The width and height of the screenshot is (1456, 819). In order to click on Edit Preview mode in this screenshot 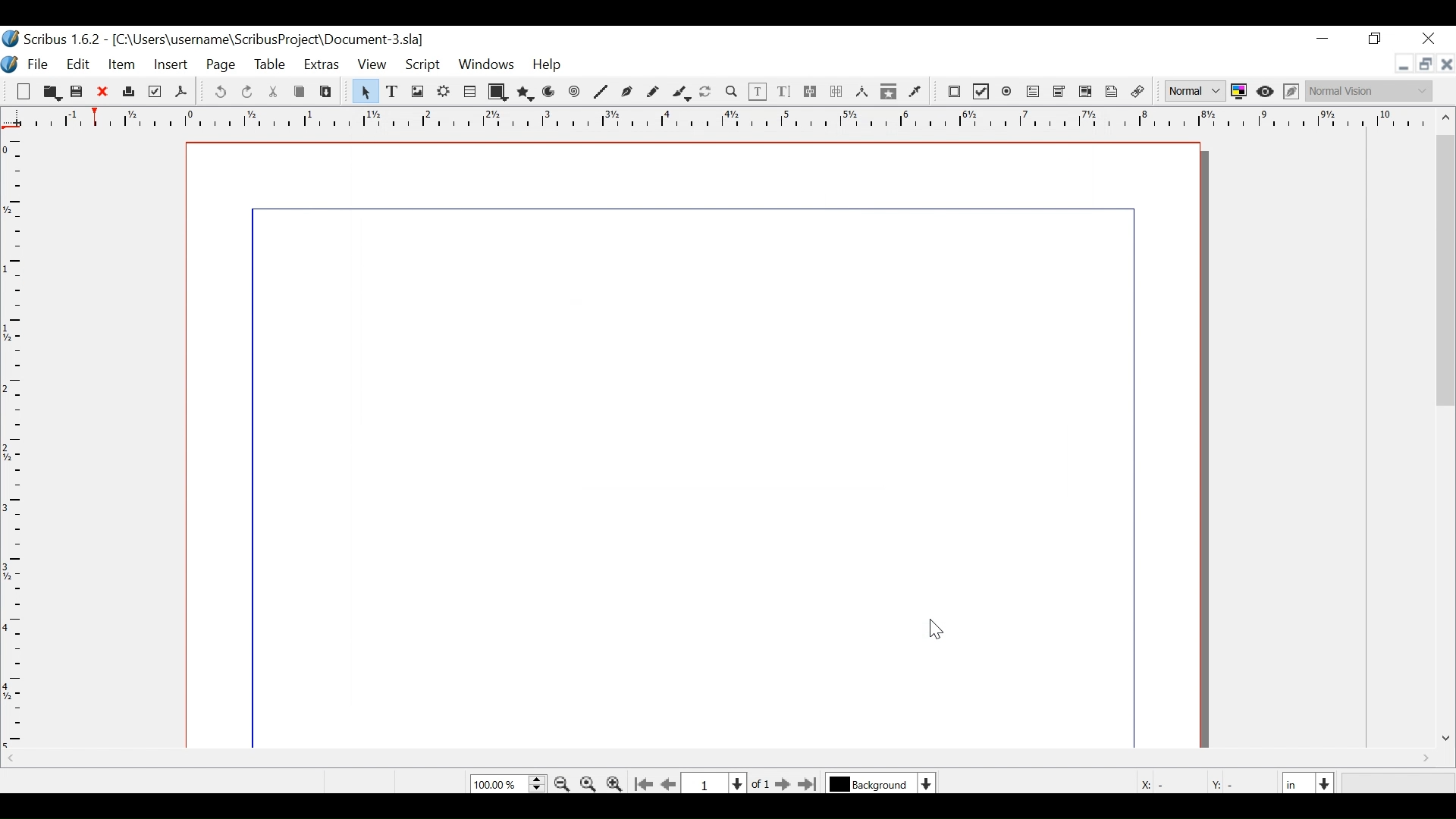, I will do `click(1293, 93)`.